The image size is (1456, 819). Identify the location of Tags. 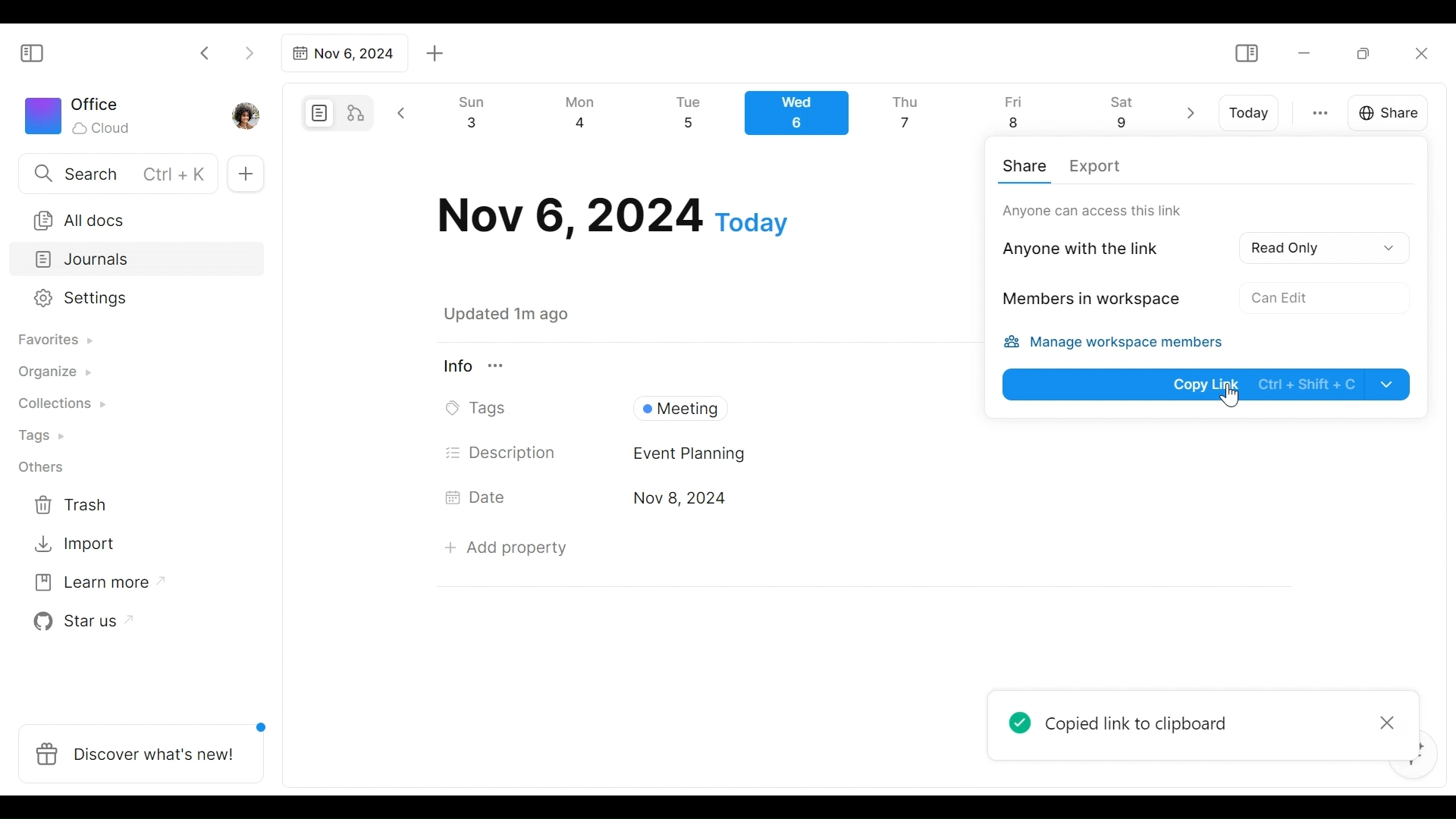
(43, 438).